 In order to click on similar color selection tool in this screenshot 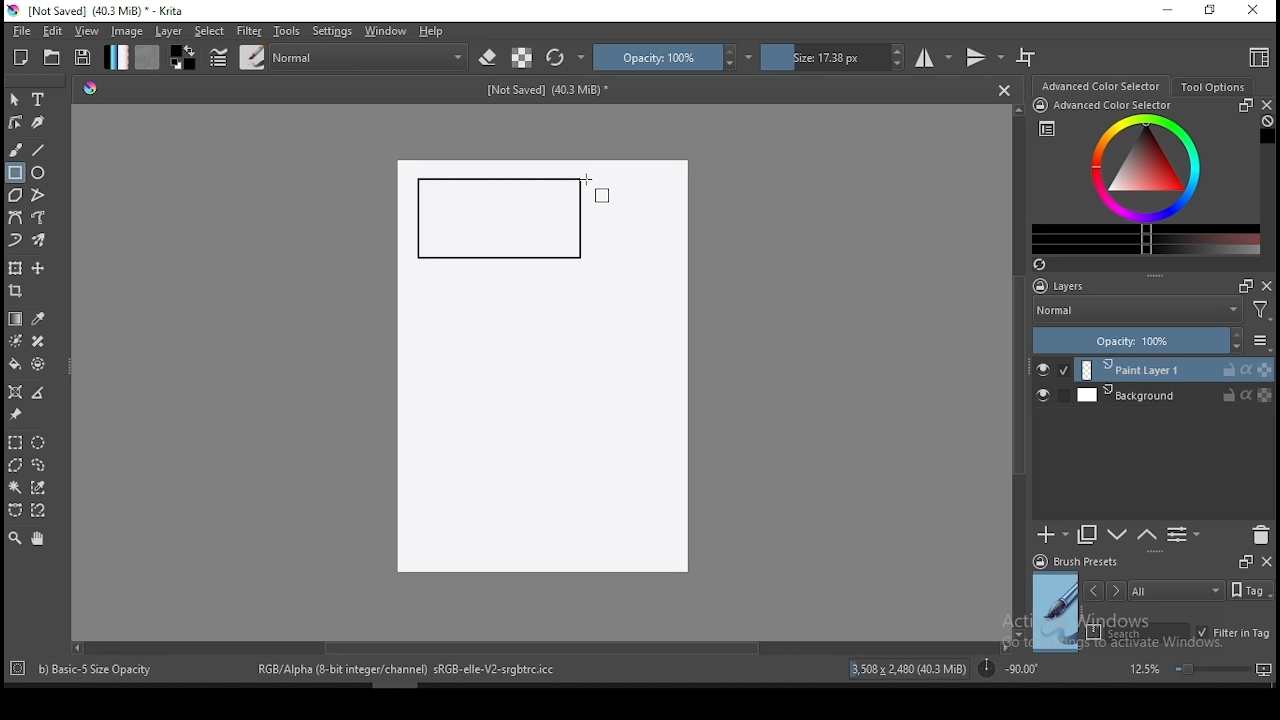, I will do `click(41, 487)`.